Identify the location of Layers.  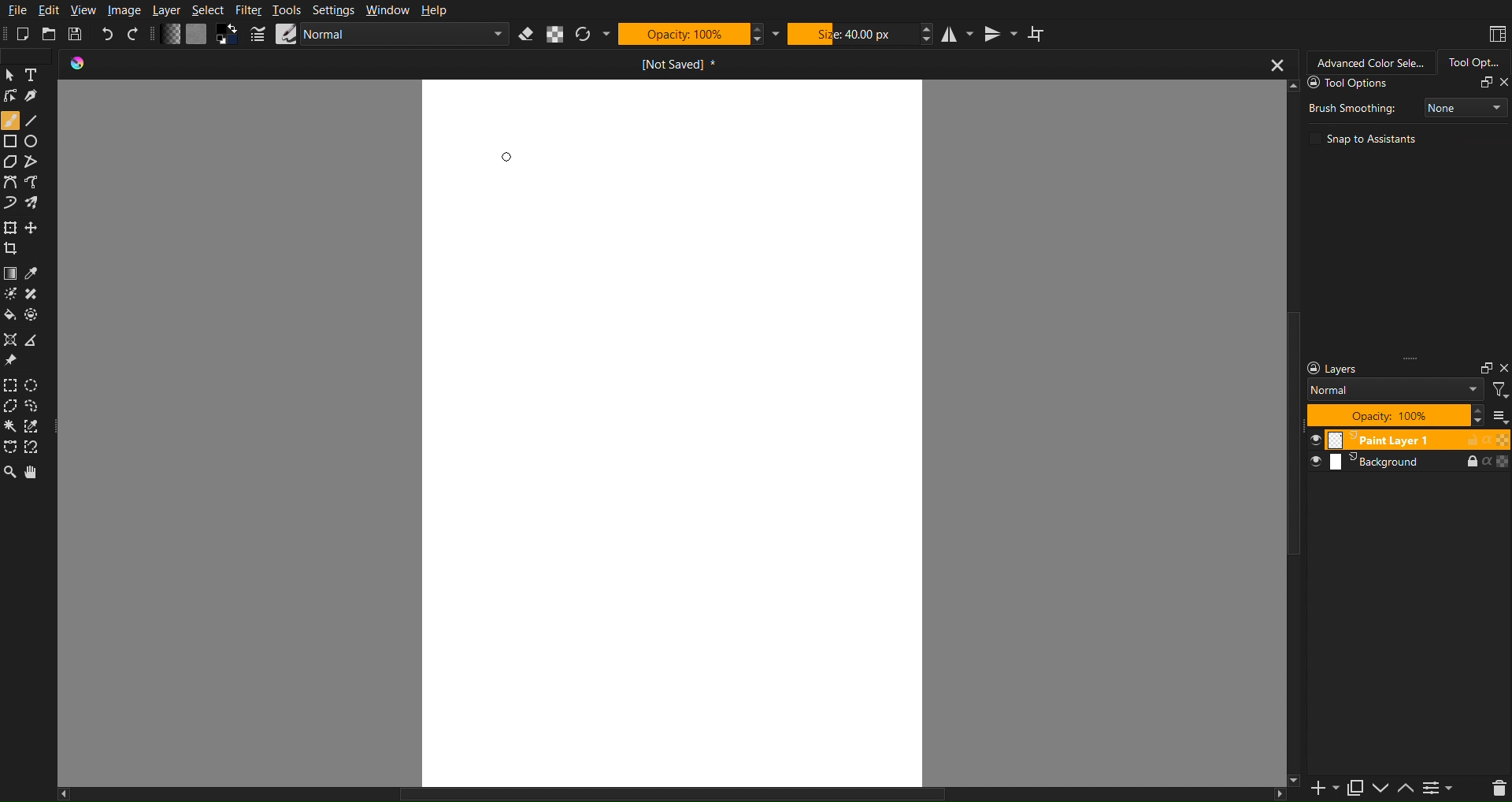
(1405, 463).